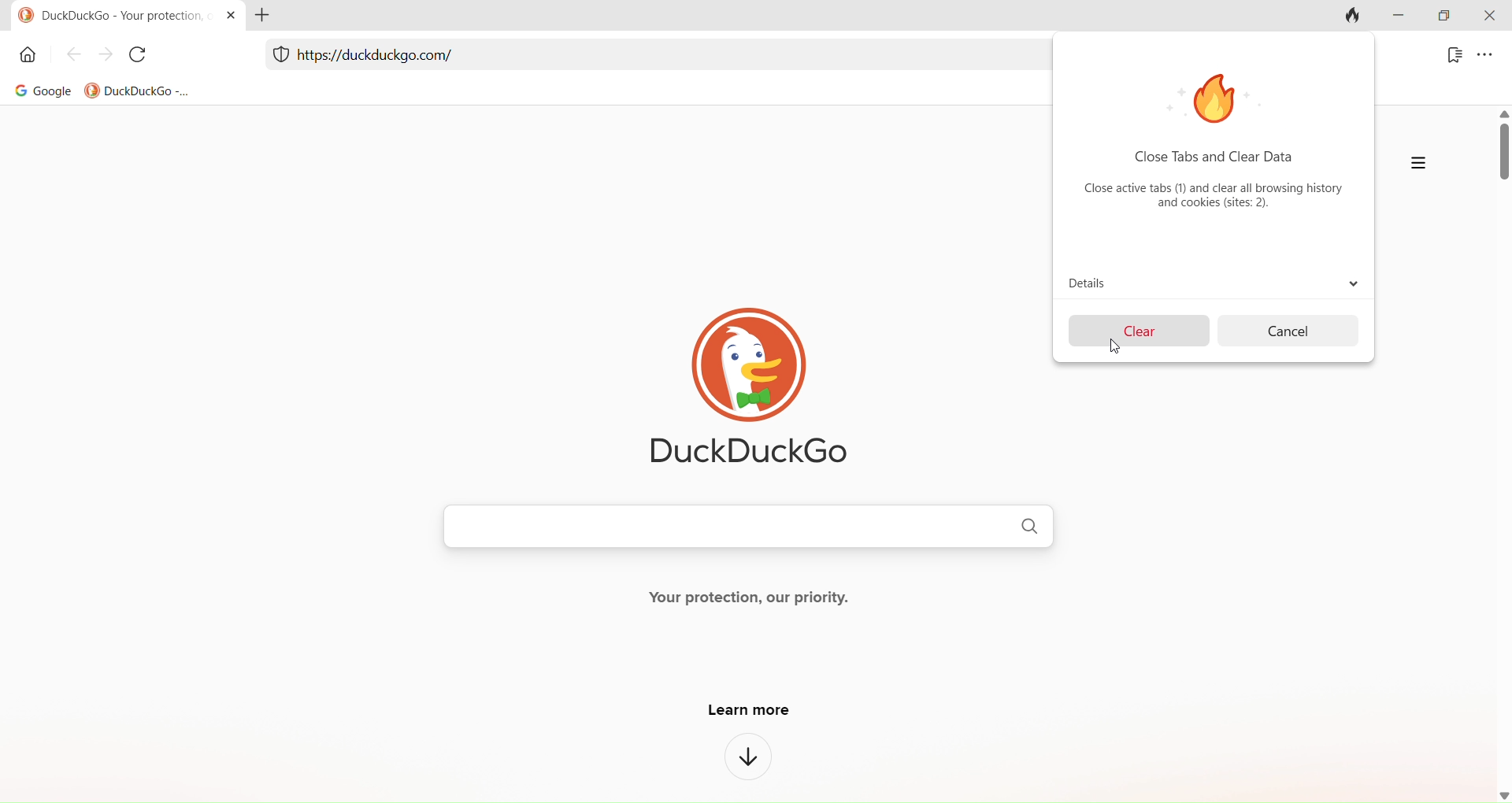 The width and height of the screenshot is (1512, 803). I want to click on link address, so click(392, 54).